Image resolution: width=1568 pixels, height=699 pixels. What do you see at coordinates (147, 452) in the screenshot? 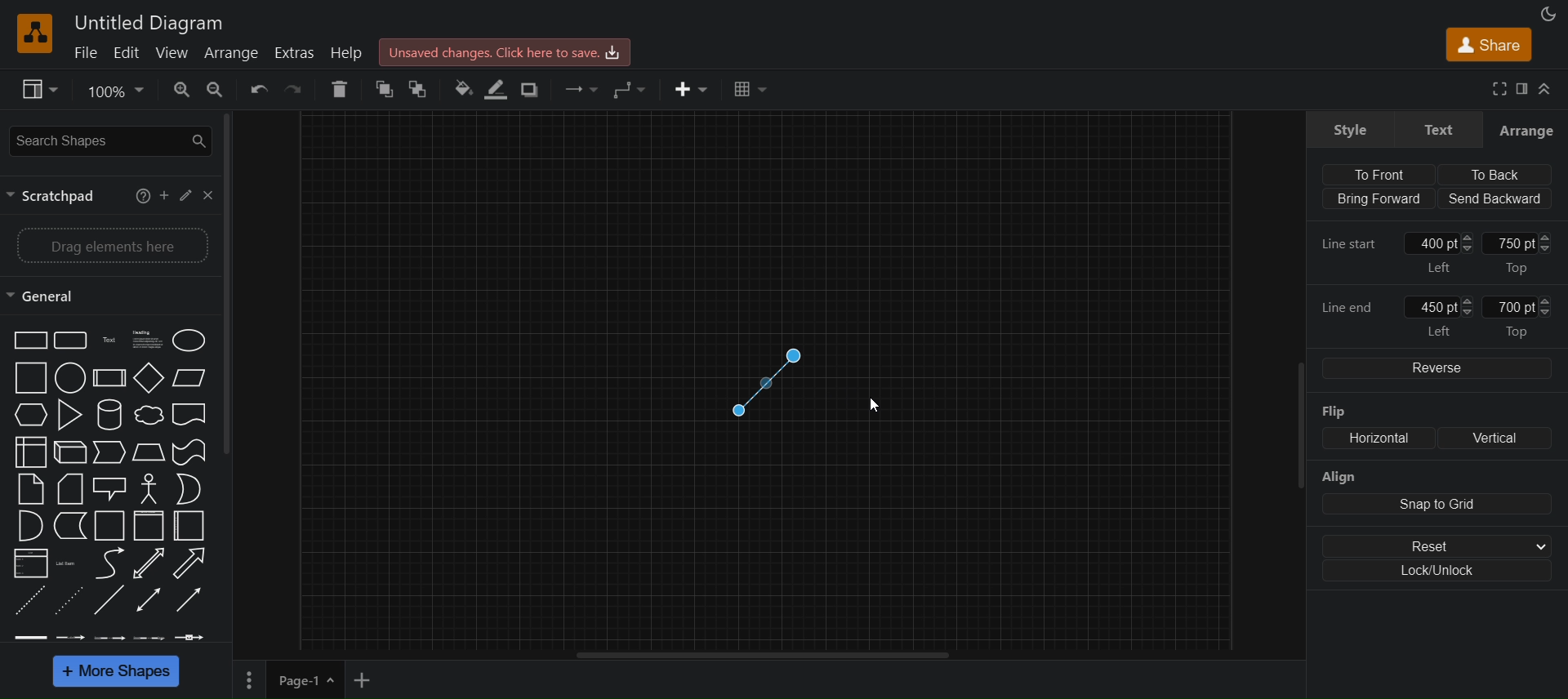
I see `Trapezoid` at bounding box center [147, 452].